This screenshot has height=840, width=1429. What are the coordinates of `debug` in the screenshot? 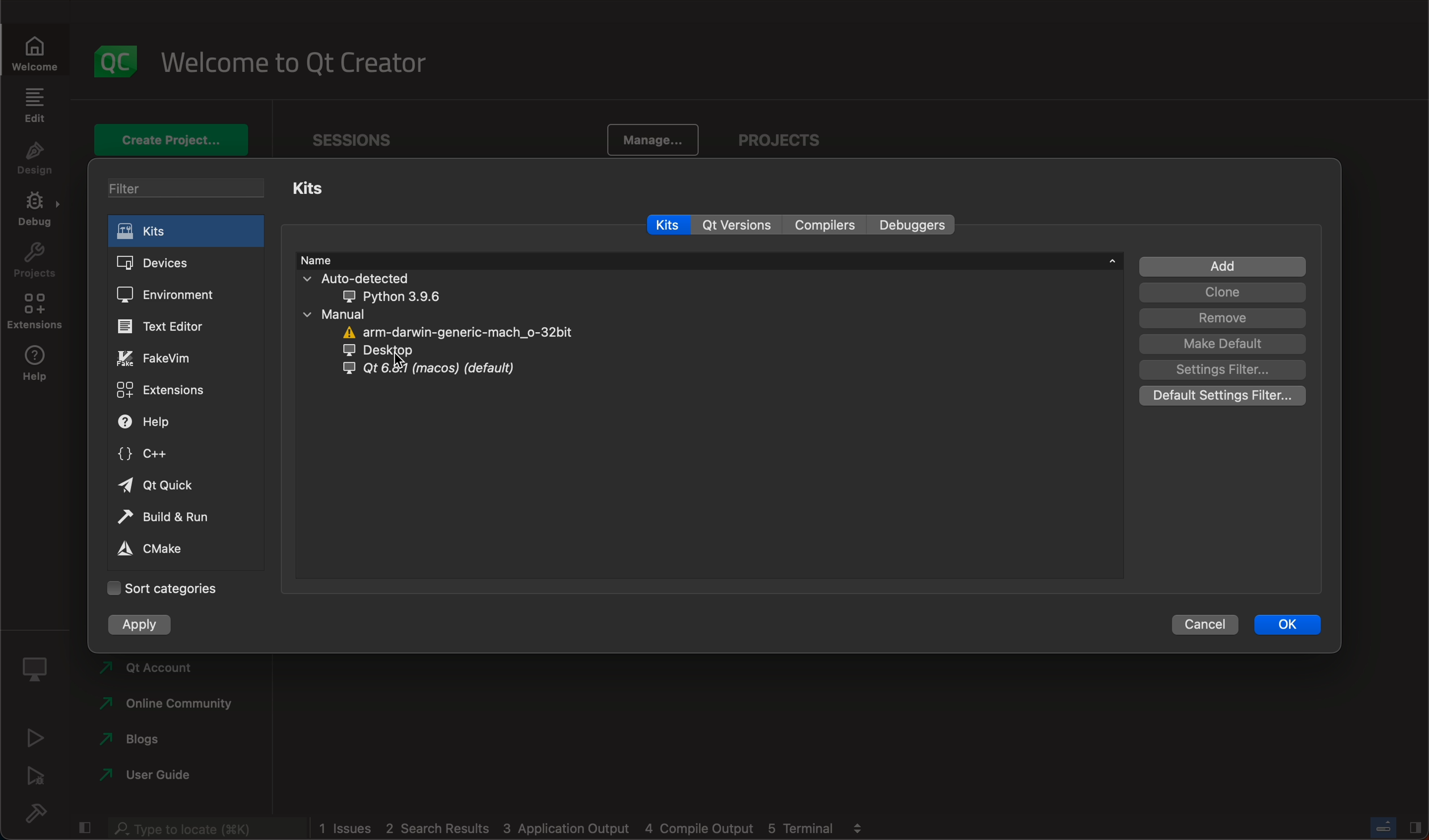 It's located at (40, 778).